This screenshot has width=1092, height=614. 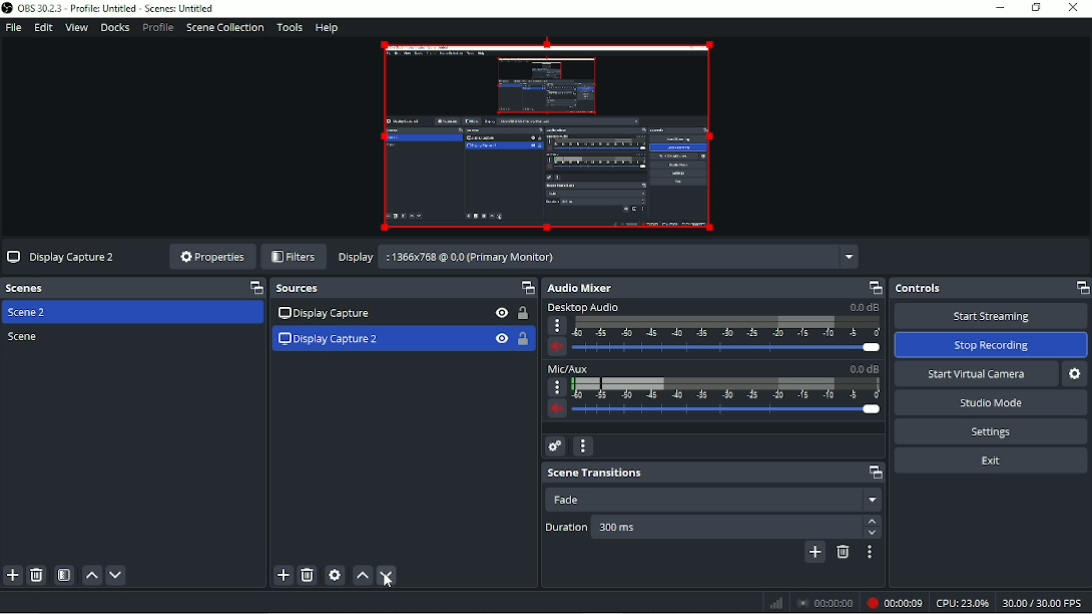 I want to click on Desktop audio slider, so click(x=712, y=328).